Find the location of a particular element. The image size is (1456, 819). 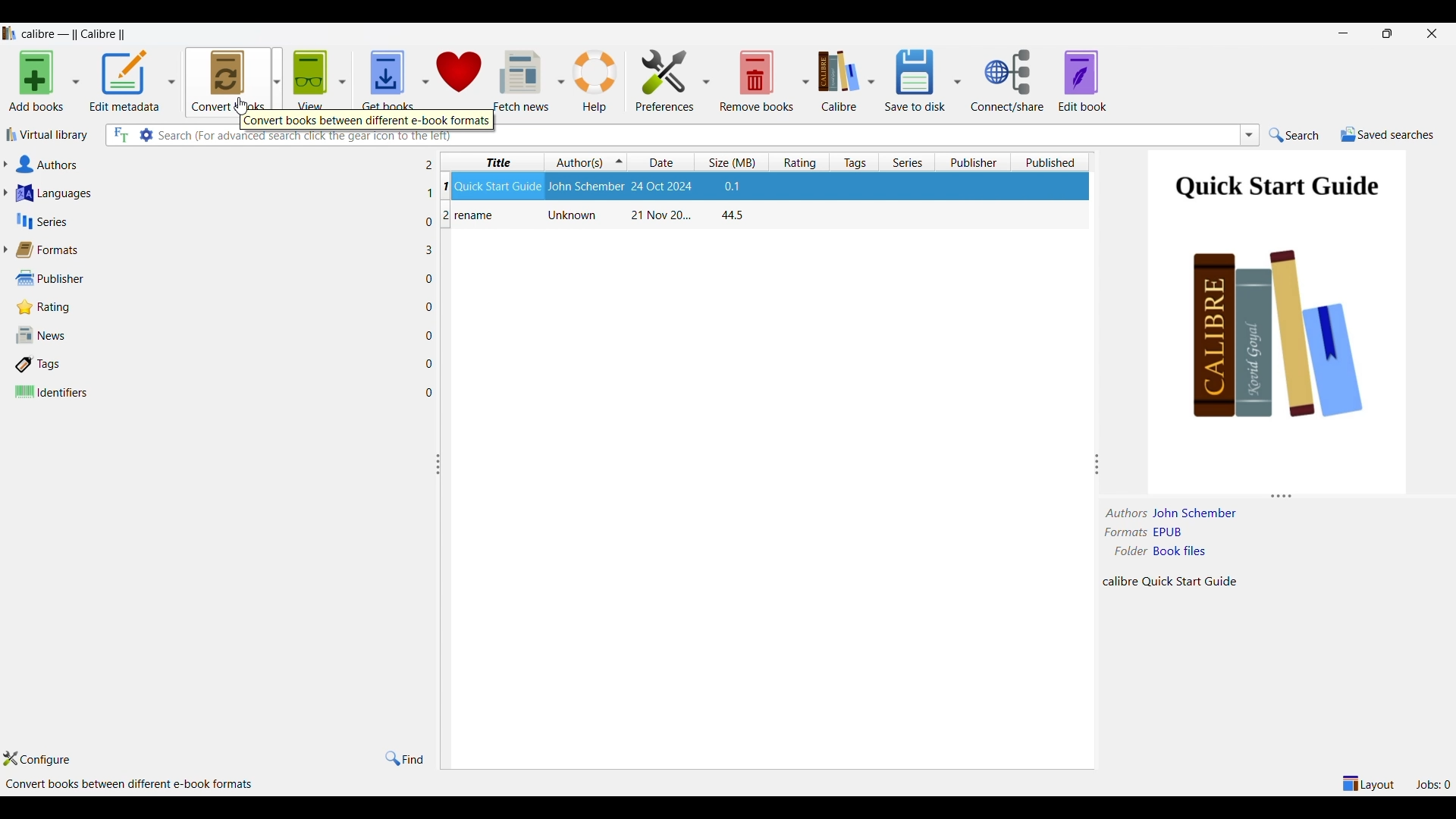

Details about software is located at coordinates (125, 786).